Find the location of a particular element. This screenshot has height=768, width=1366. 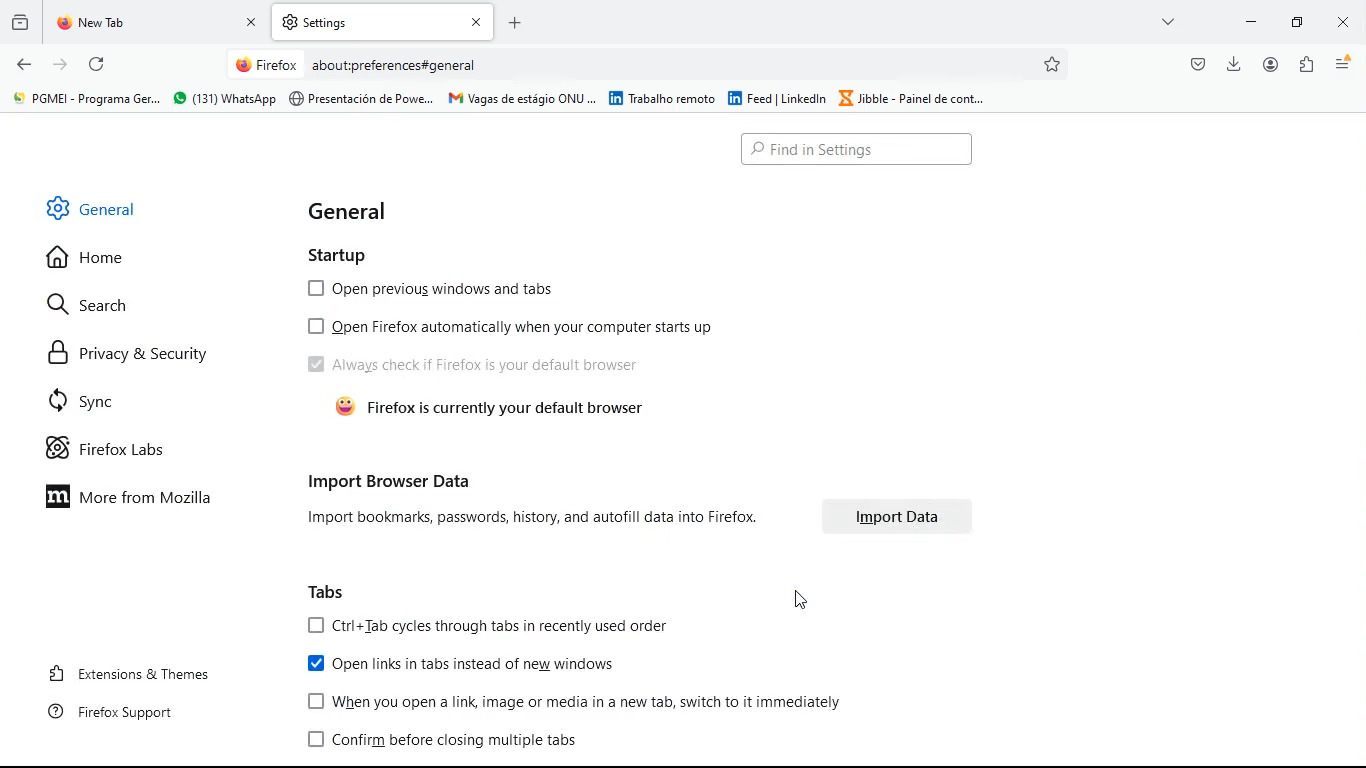

Import bookmarks, passwords, history, and autofill data into Firefox. is located at coordinates (535, 517).